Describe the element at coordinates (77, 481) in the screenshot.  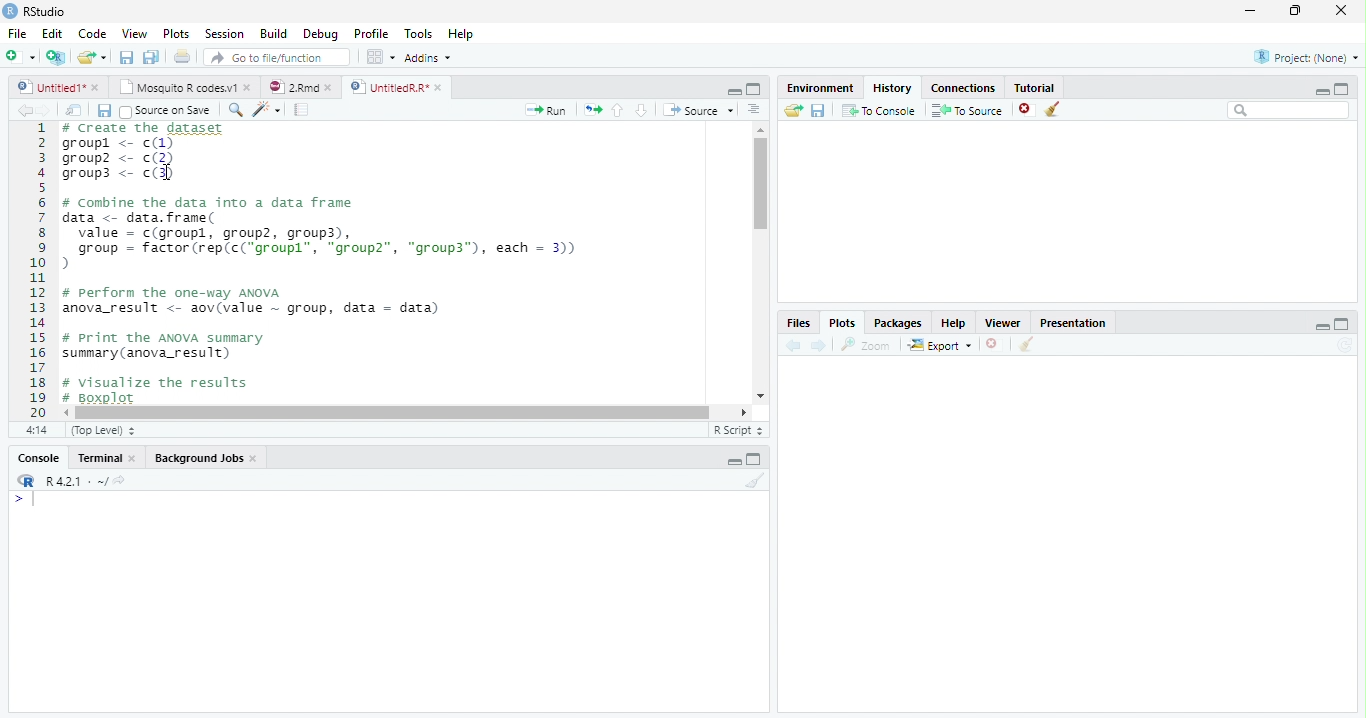
I see `R 4.2.1 ~/` at that location.